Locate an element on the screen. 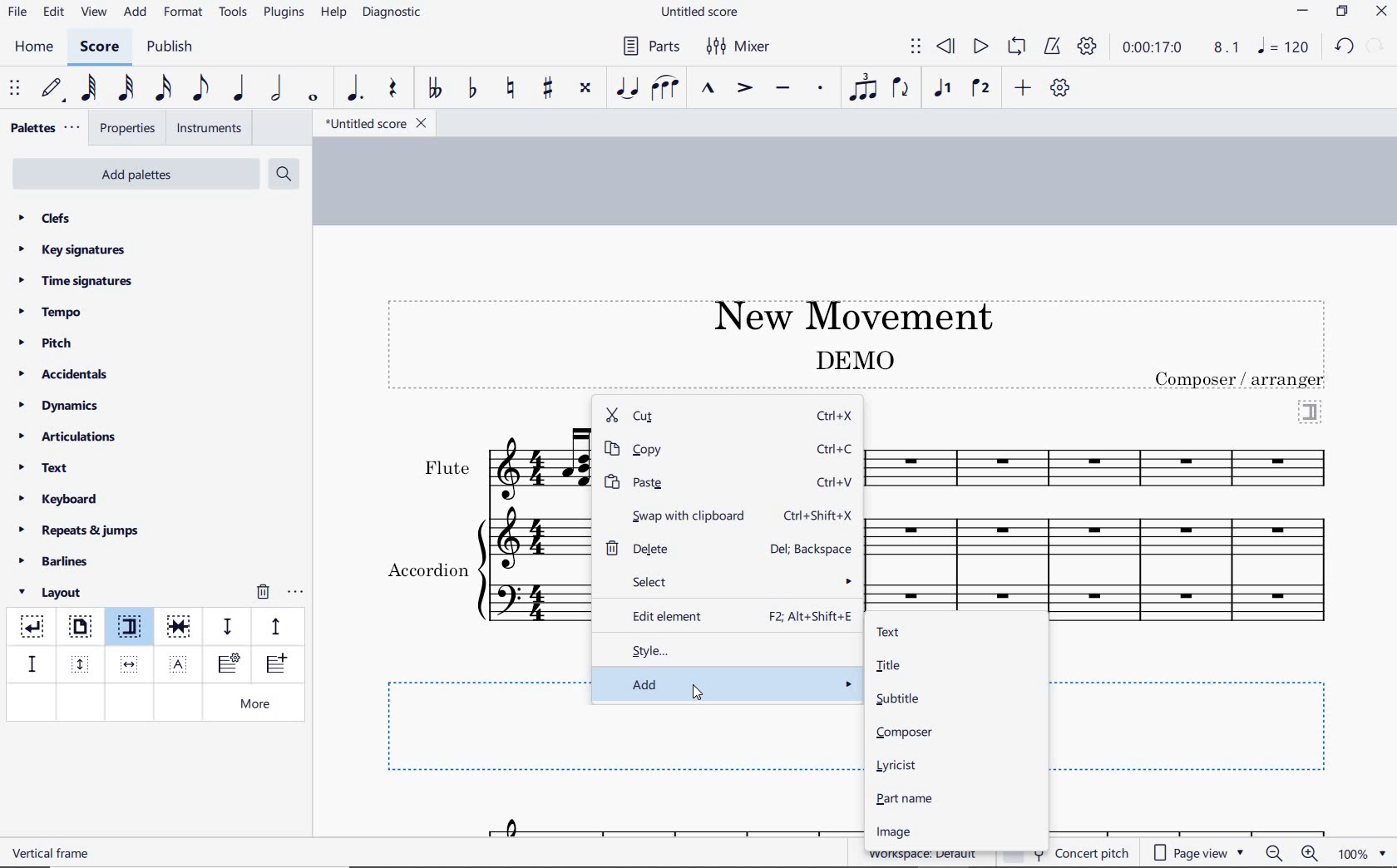 Image resolution: width=1397 pixels, height=868 pixels. score is located at coordinates (100, 49).